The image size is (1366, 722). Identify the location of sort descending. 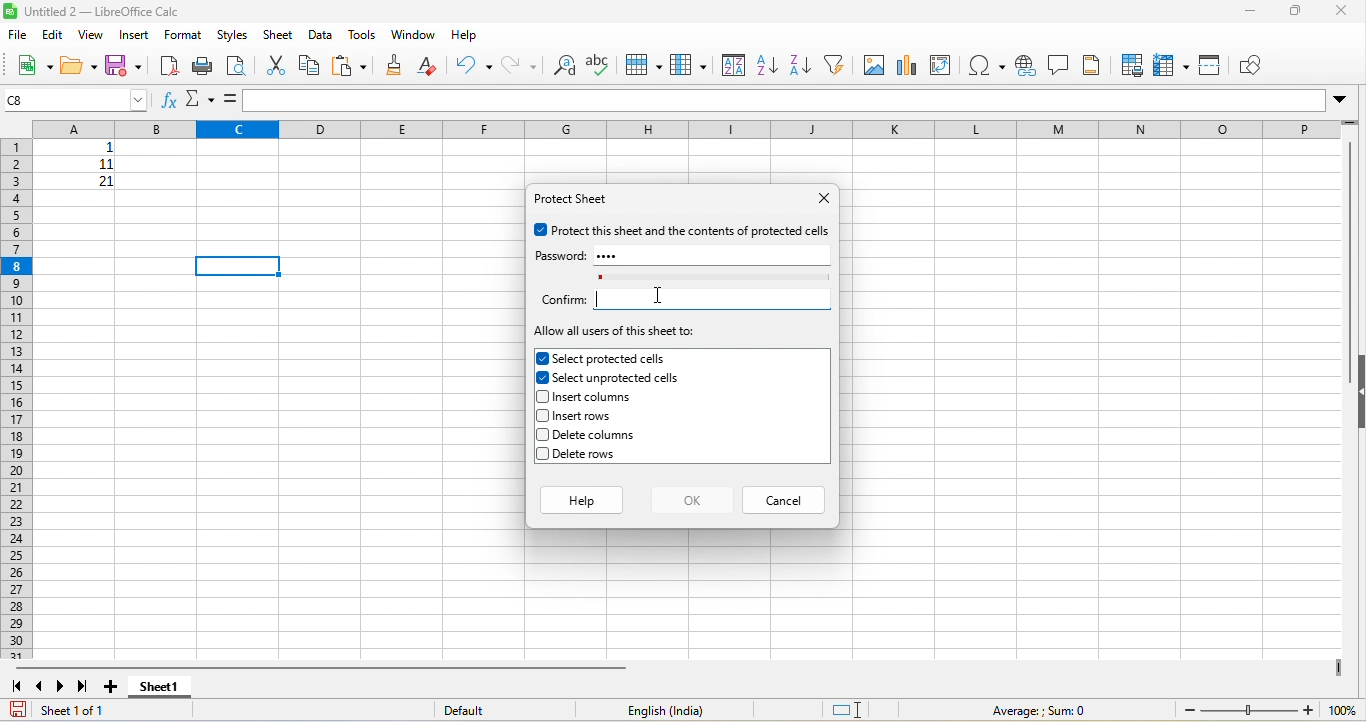
(799, 64).